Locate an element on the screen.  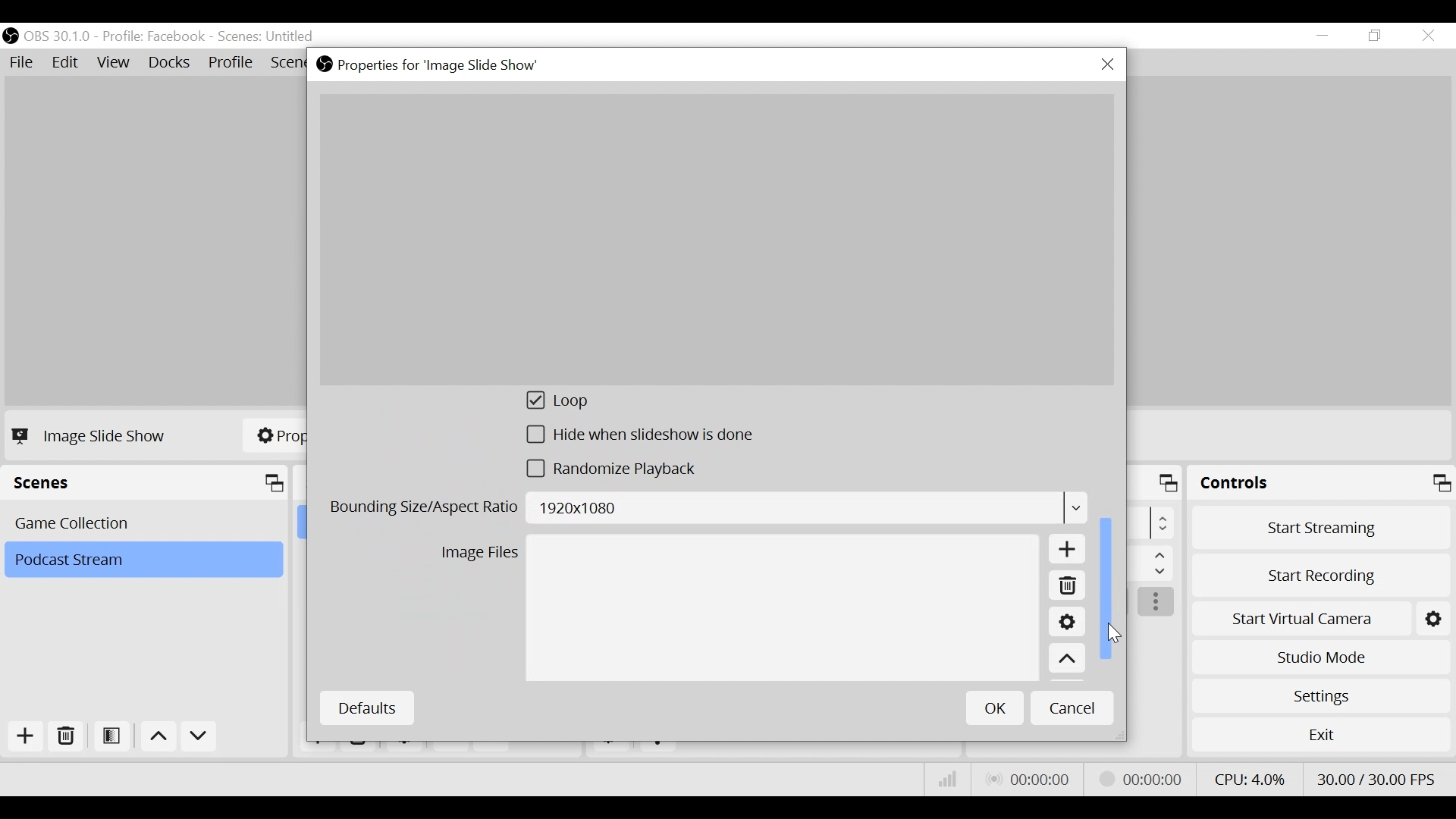
Profile is located at coordinates (231, 64).